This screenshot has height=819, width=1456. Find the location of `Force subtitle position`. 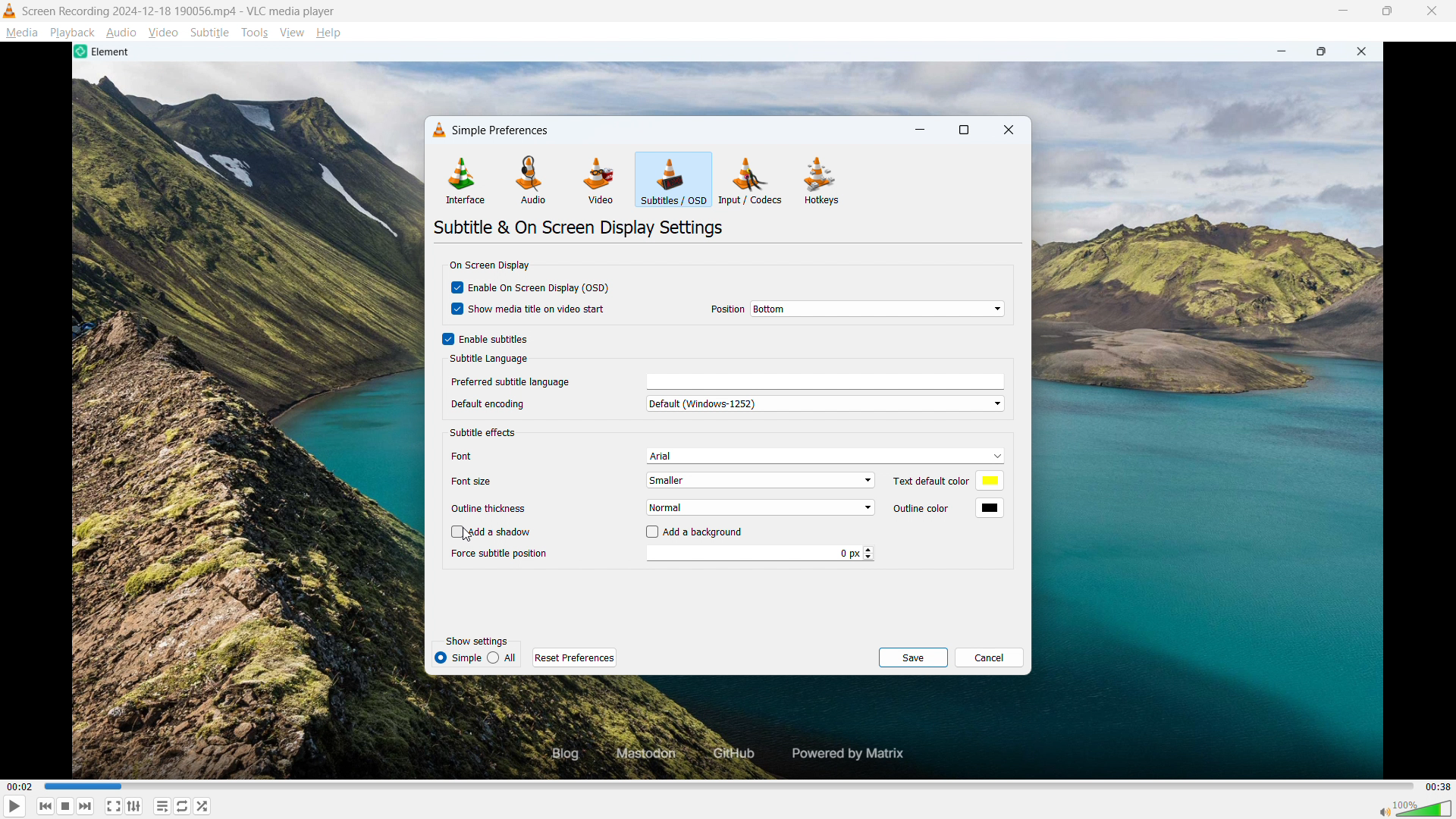

Force subtitle position is located at coordinates (502, 554).